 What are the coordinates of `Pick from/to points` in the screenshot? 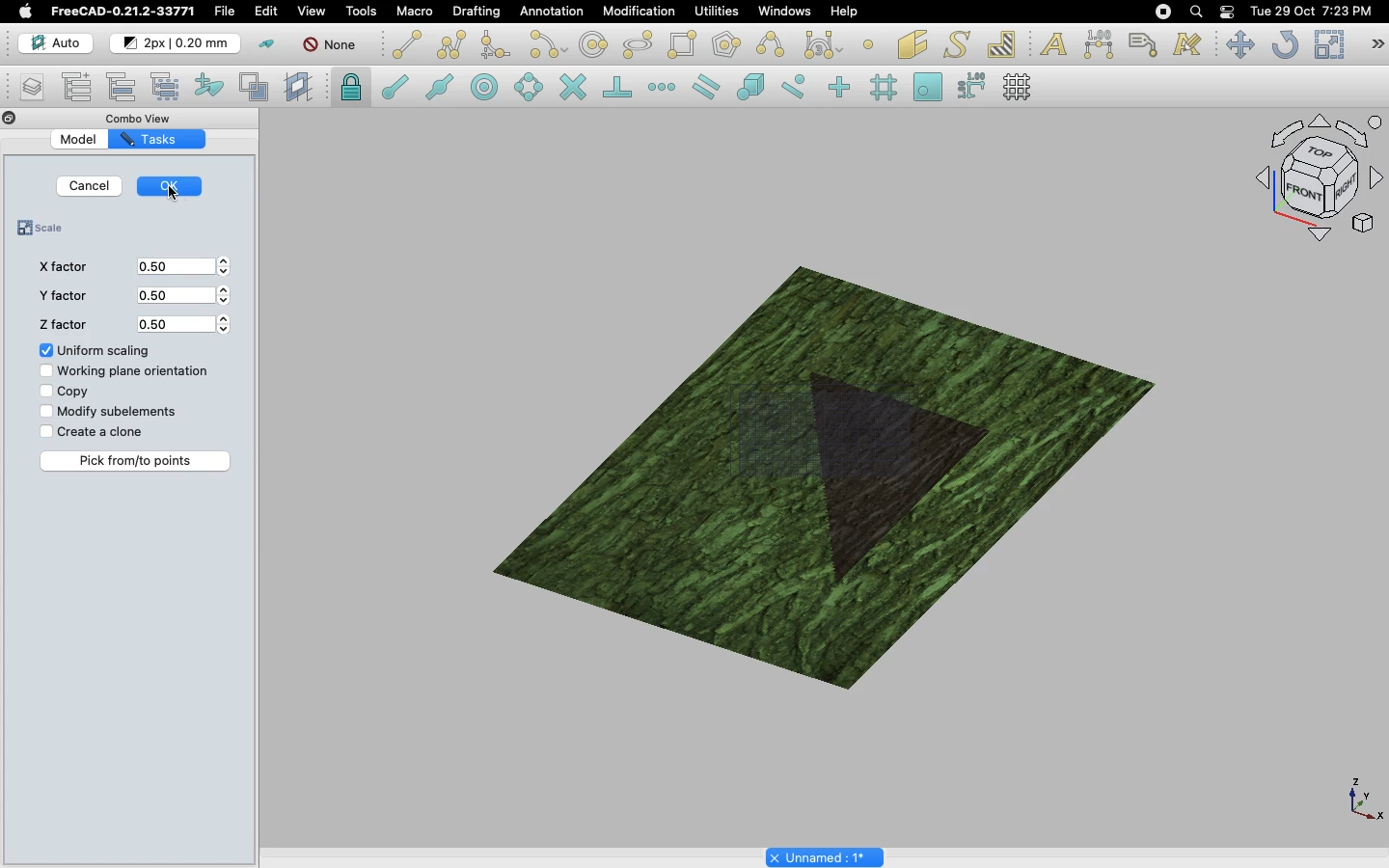 It's located at (137, 461).